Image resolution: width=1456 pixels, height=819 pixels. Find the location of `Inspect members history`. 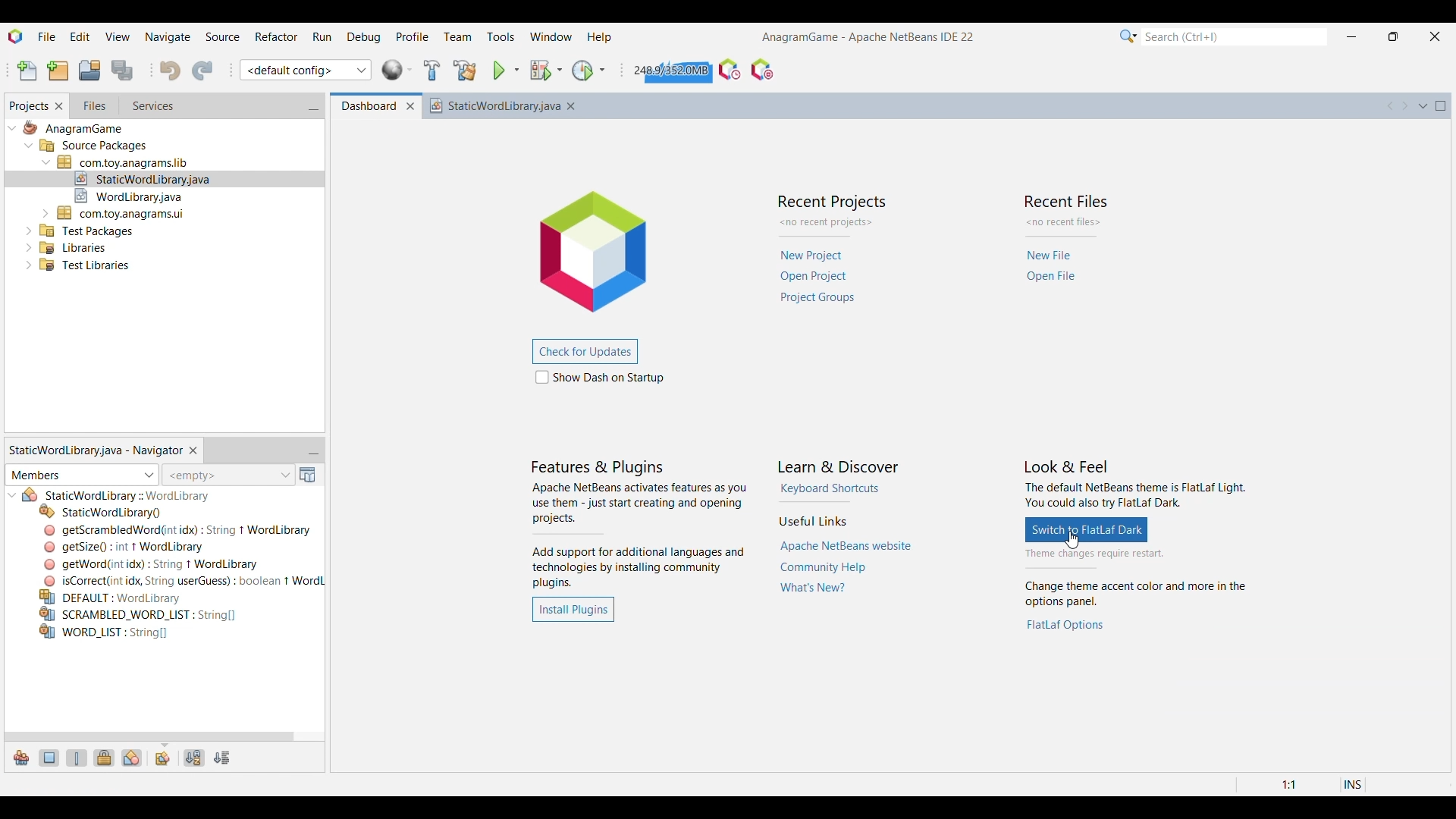

Inspect members history is located at coordinates (227, 475).